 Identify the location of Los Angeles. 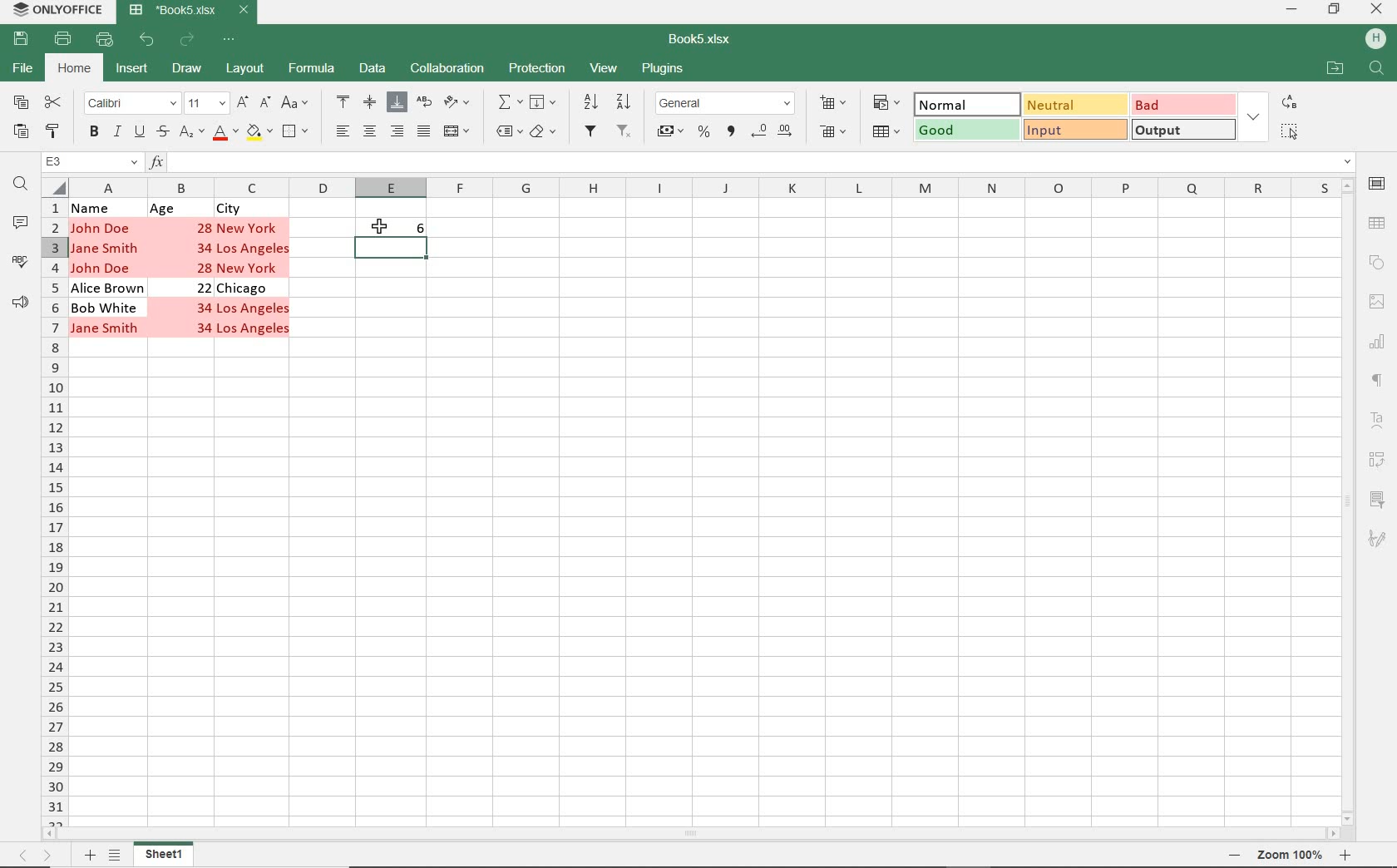
(256, 329).